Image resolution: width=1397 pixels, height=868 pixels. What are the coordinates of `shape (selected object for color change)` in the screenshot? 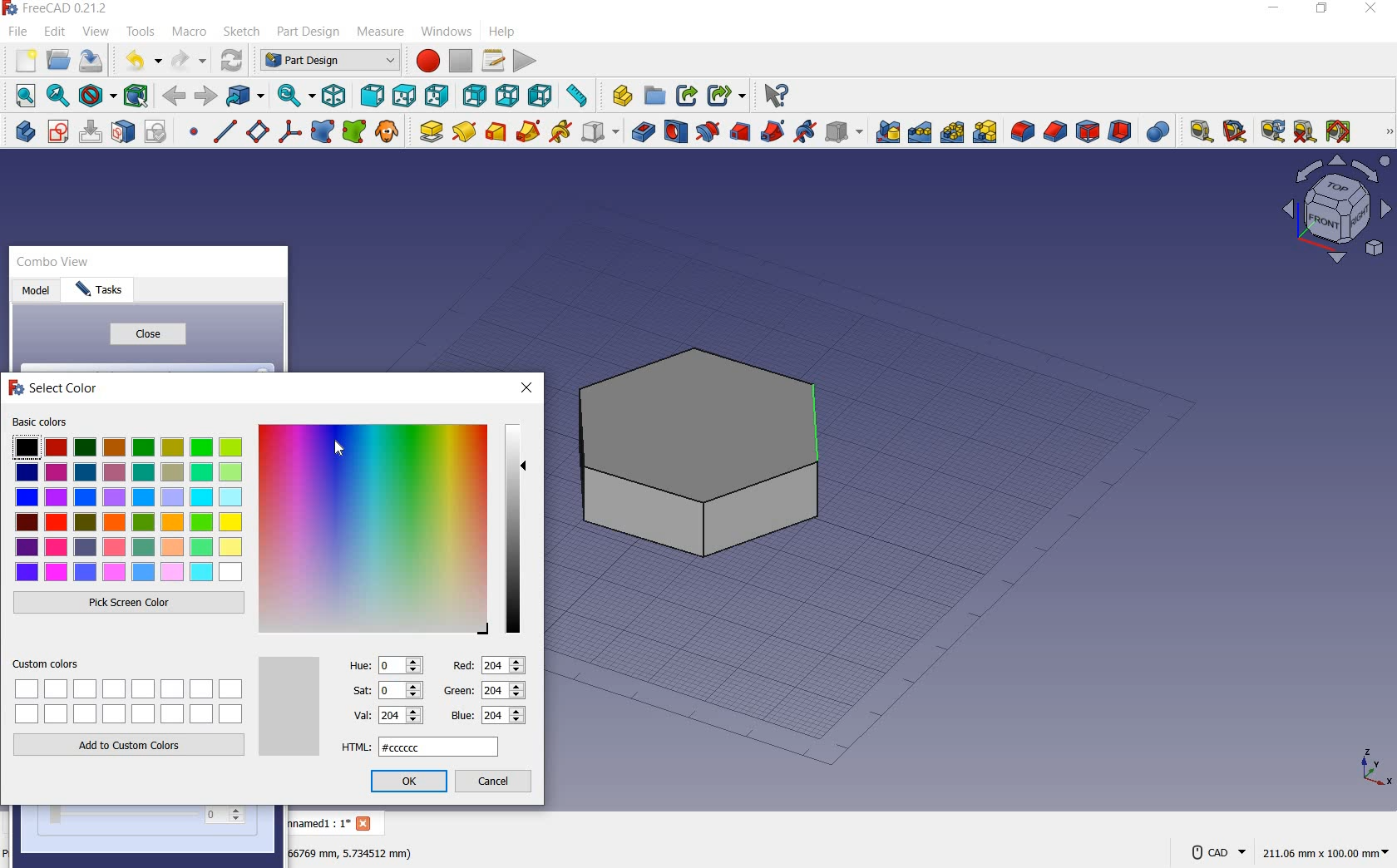 It's located at (691, 451).